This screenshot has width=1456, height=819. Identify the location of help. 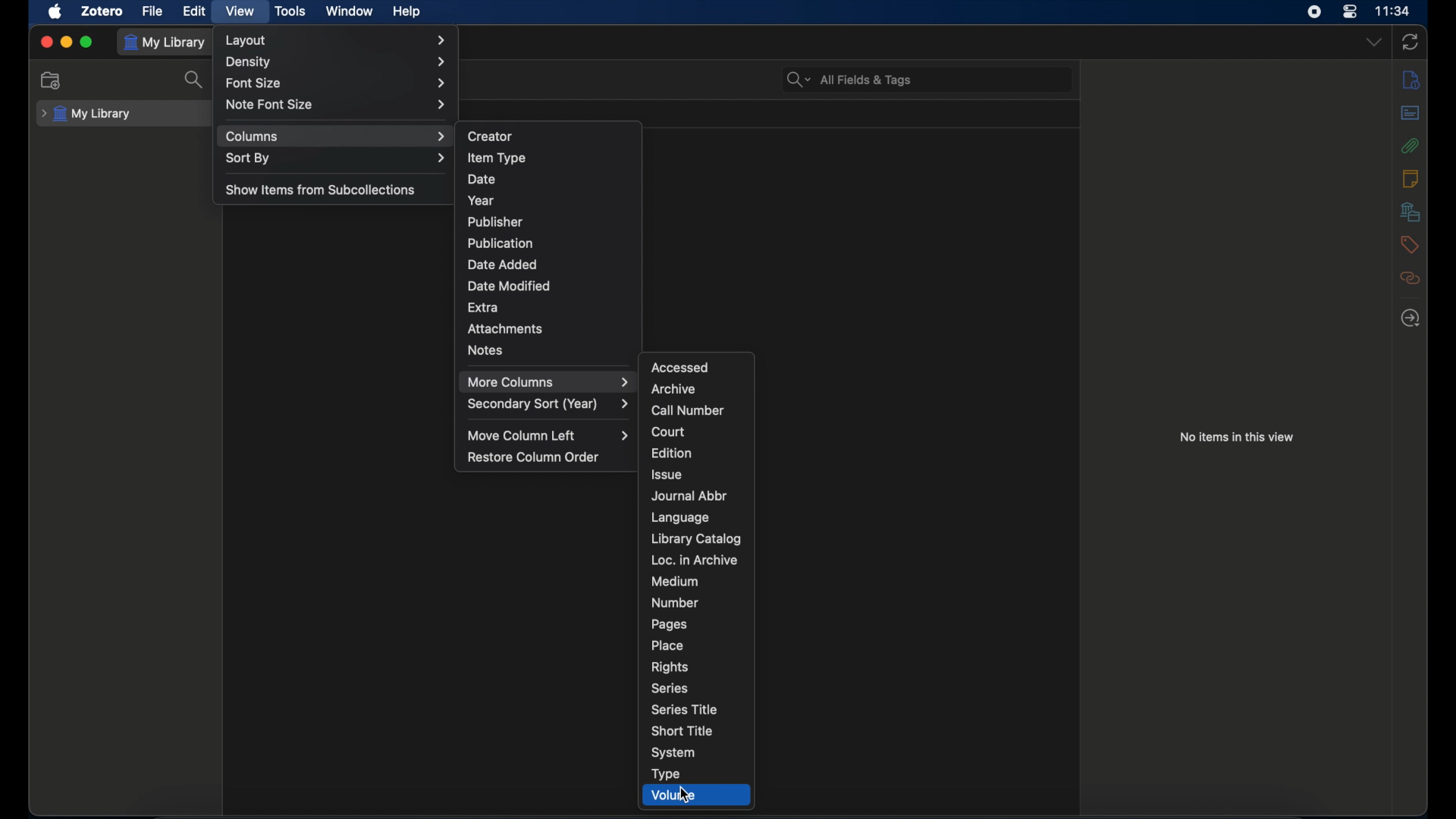
(406, 11).